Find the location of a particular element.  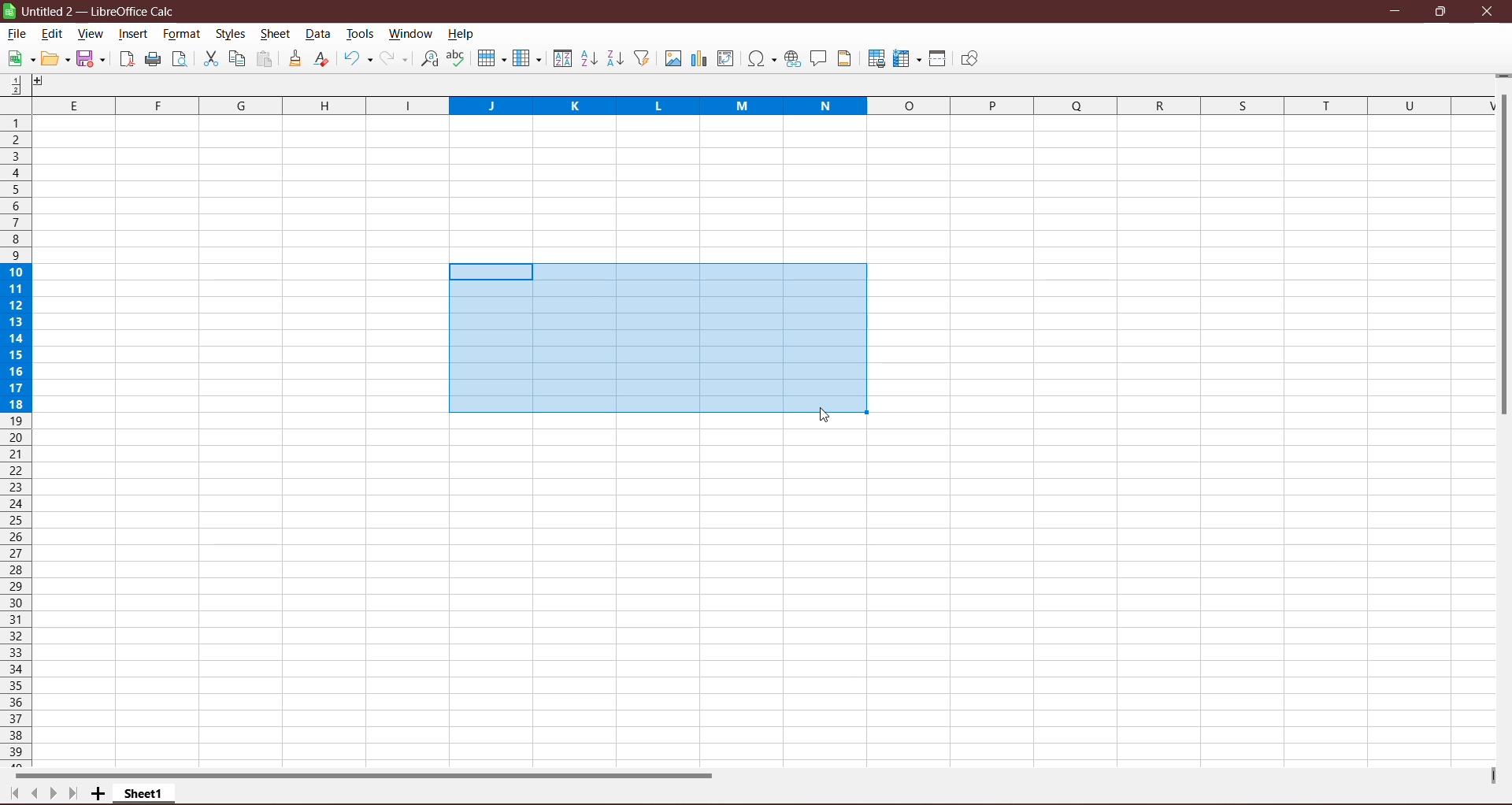

Sort is located at coordinates (561, 58).